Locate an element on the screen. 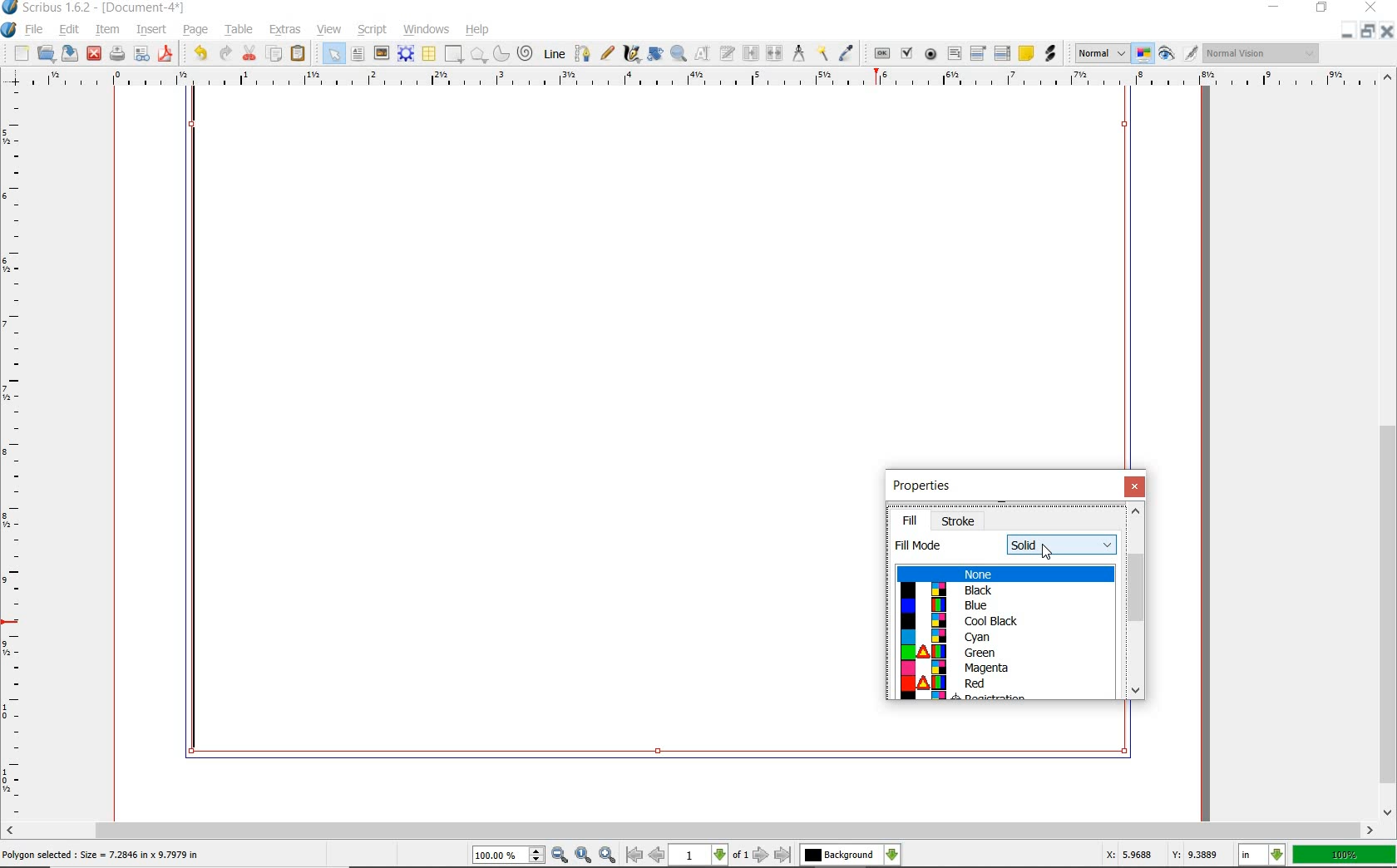  pdf check box is located at coordinates (906, 52).